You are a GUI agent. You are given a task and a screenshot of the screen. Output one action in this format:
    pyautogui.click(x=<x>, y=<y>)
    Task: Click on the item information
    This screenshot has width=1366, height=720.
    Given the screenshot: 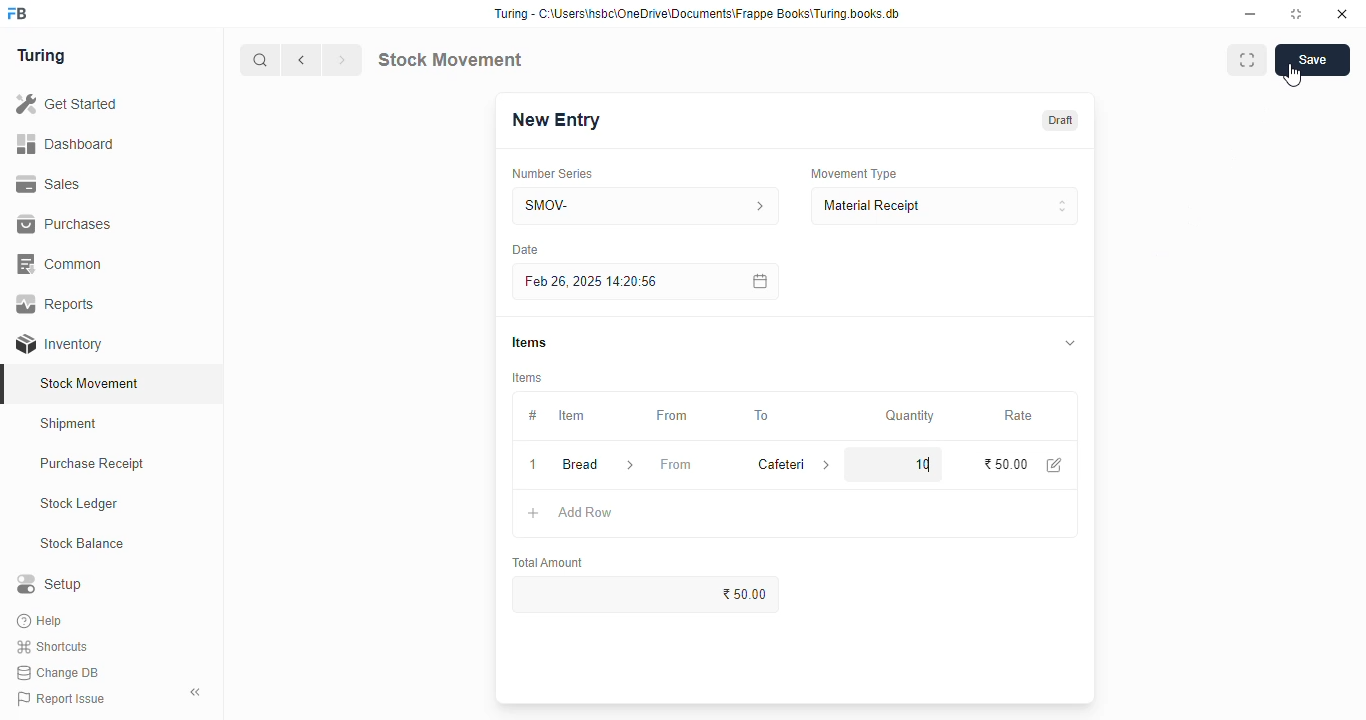 What is the action you would take?
    pyautogui.click(x=630, y=466)
    